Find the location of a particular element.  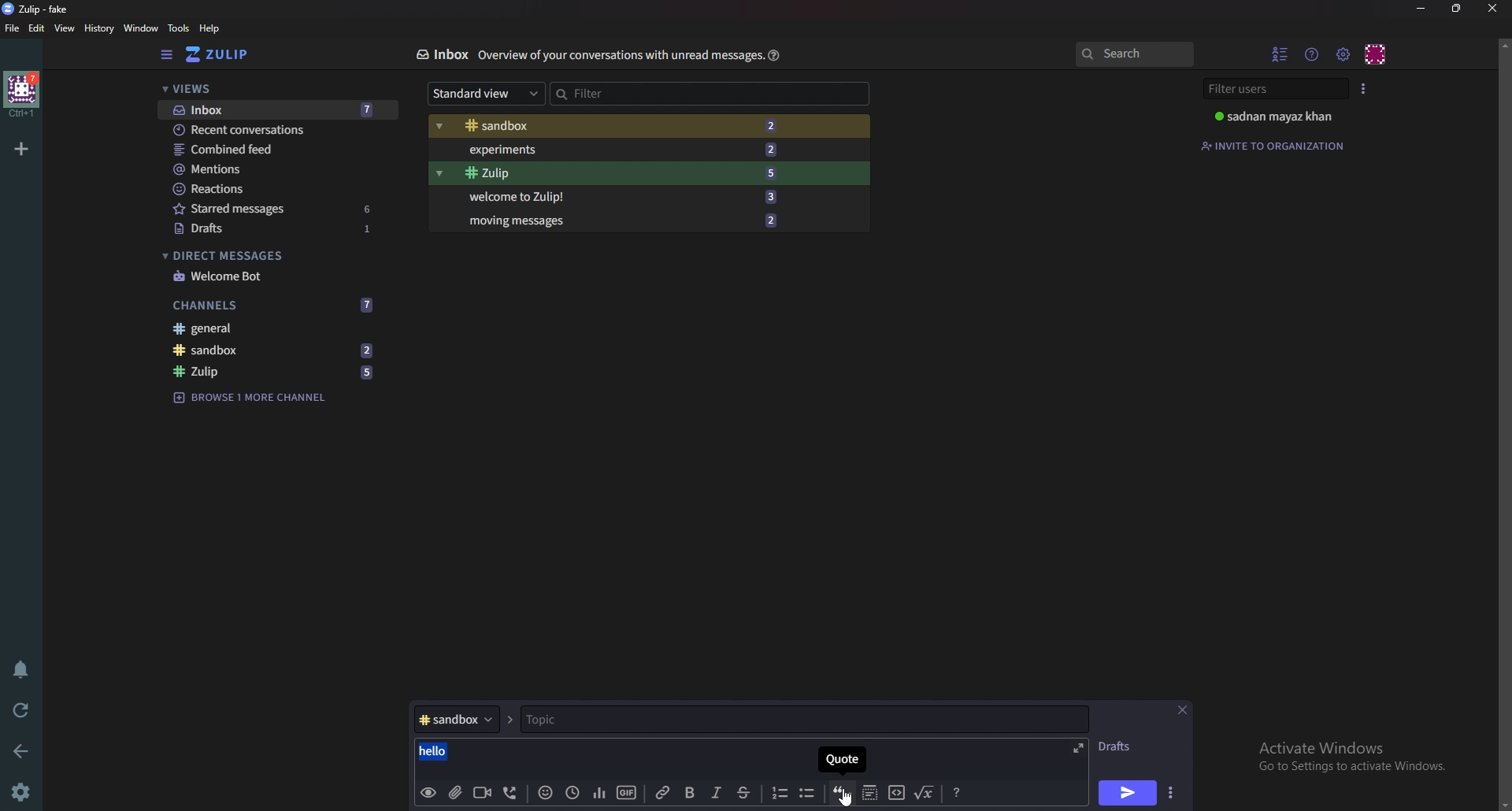

7 is located at coordinates (366, 305).